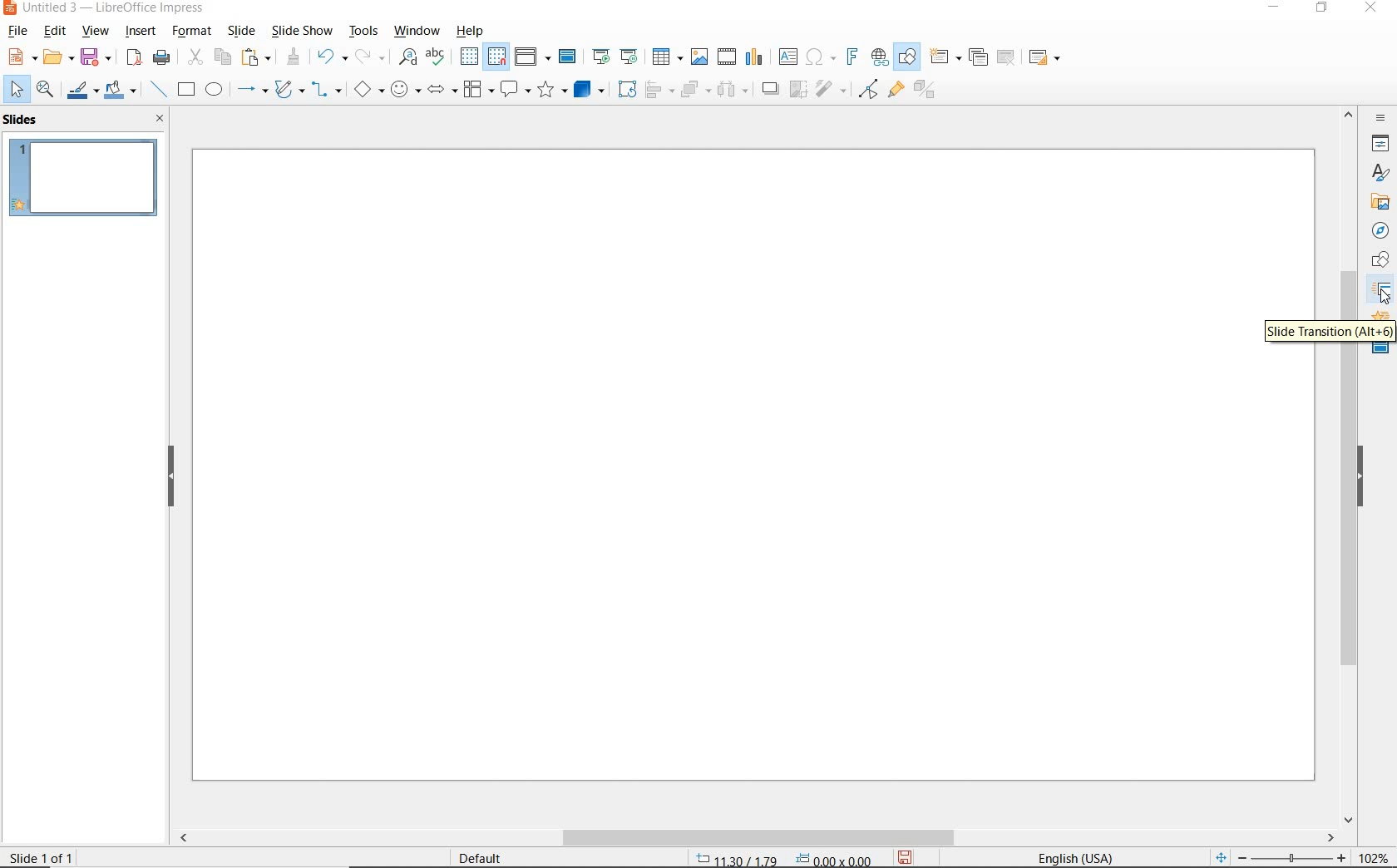 Image resolution: width=1397 pixels, height=868 pixels. What do you see at coordinates (303, 31) in the screenshot?
I see `SLIDE SHOW` at bounding box center [303, 31].